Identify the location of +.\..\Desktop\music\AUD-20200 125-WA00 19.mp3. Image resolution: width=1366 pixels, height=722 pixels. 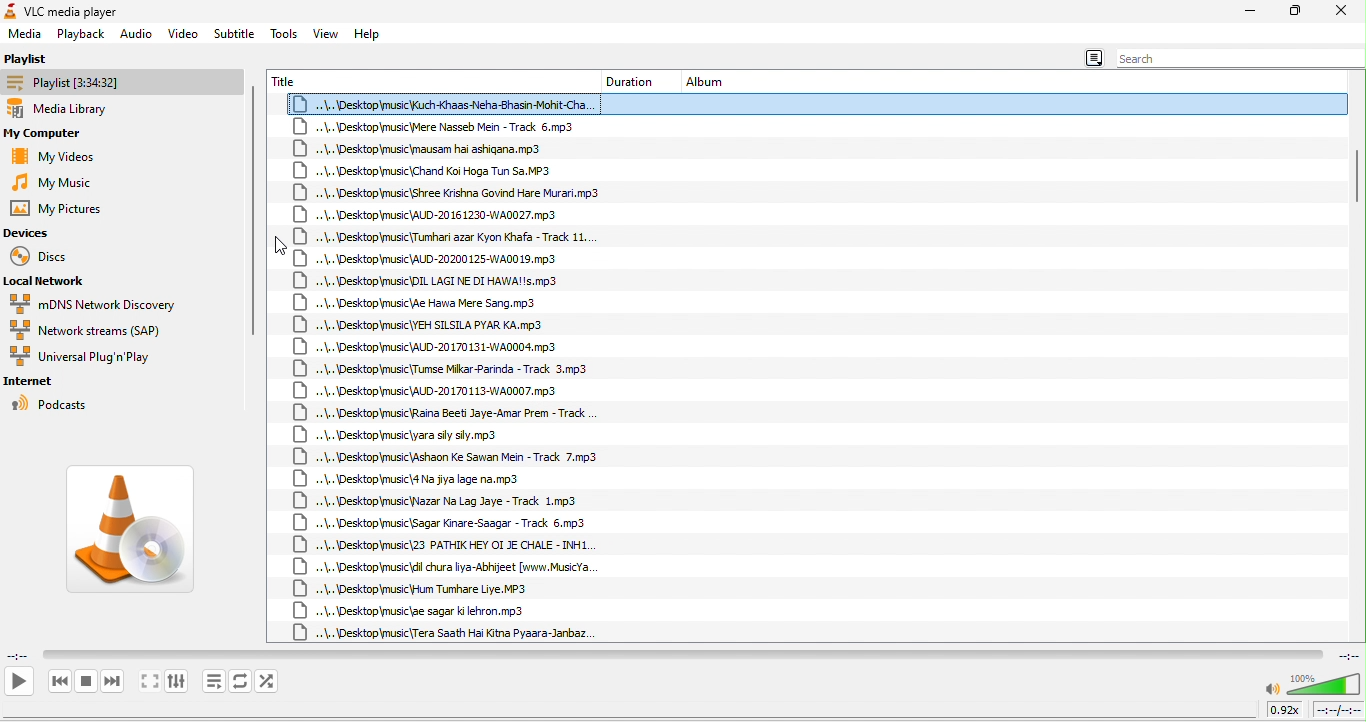
(428, 258).